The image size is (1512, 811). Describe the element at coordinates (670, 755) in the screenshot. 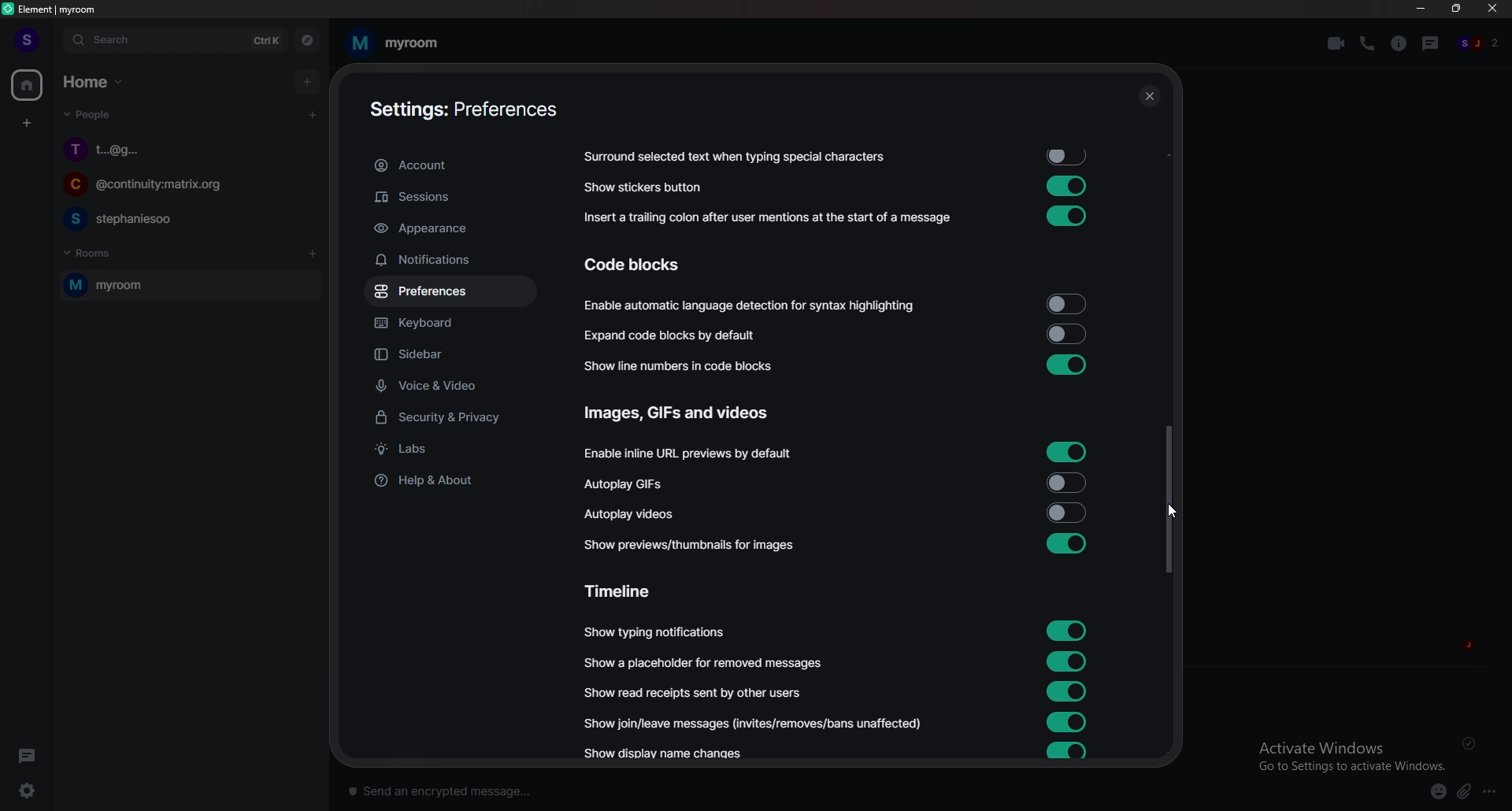

I see `show display name changes` at that location.